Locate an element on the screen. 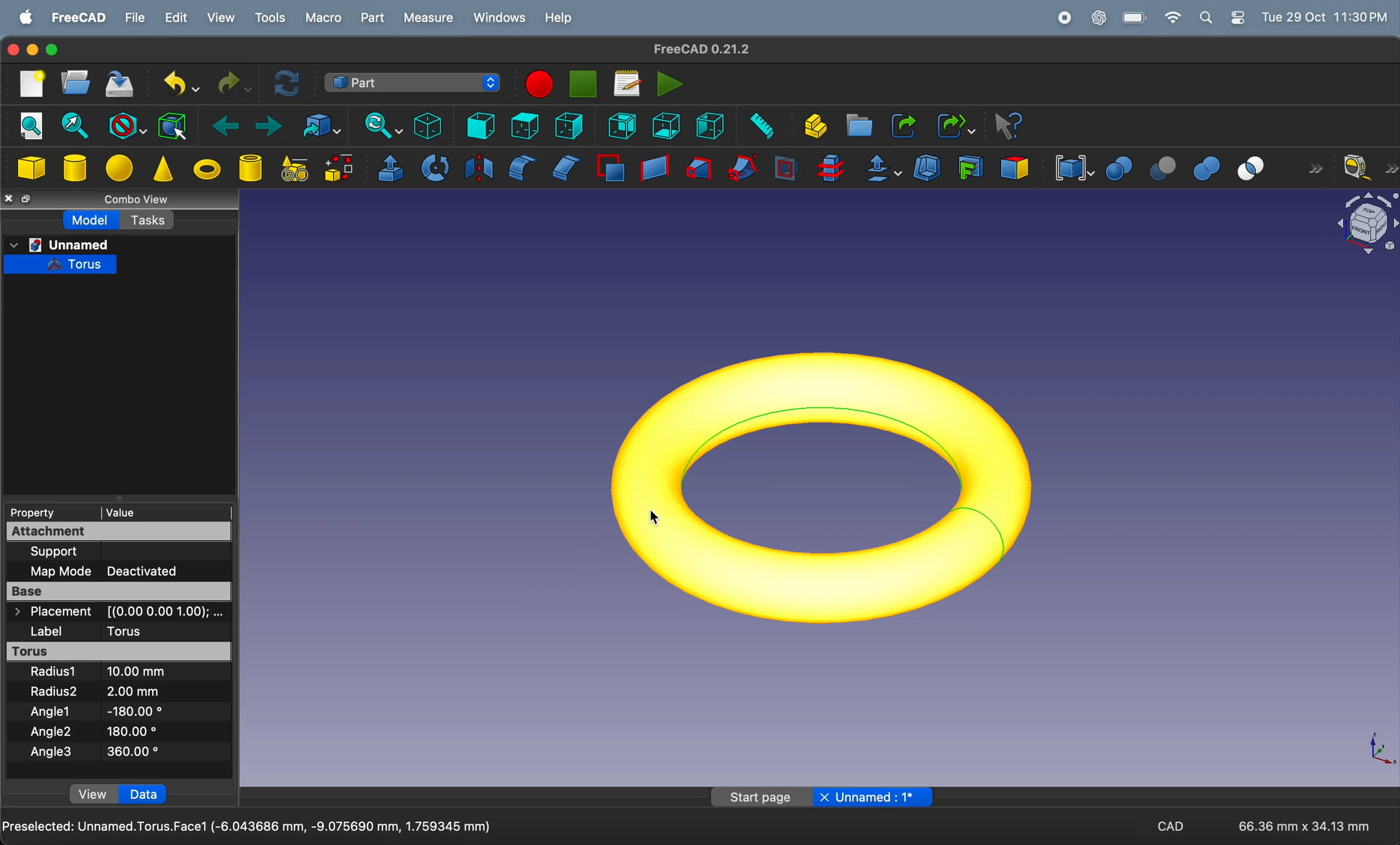 The width and height of the screenshot is (1400, 845). edit is located at coordinates (177, 18).